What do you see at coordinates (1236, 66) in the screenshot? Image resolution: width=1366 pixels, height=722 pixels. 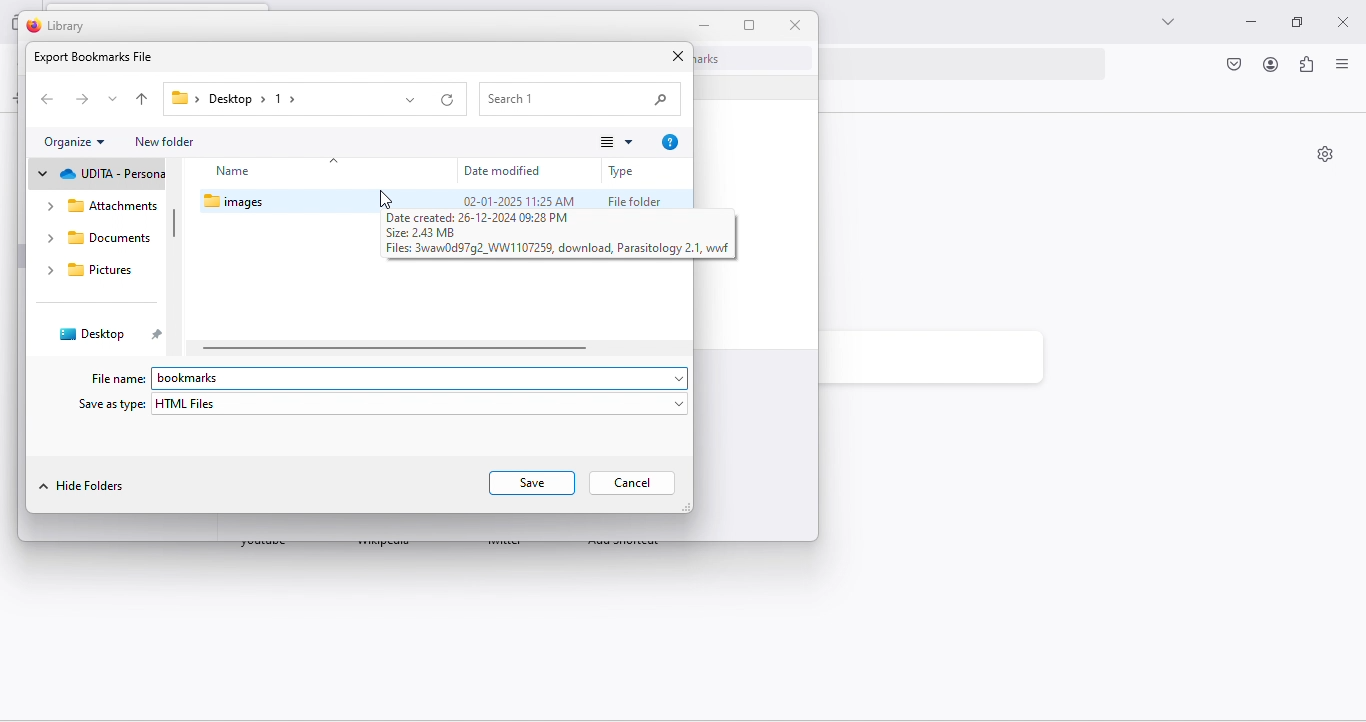 I see `visit chrome` at bounding box center [1236, 66].